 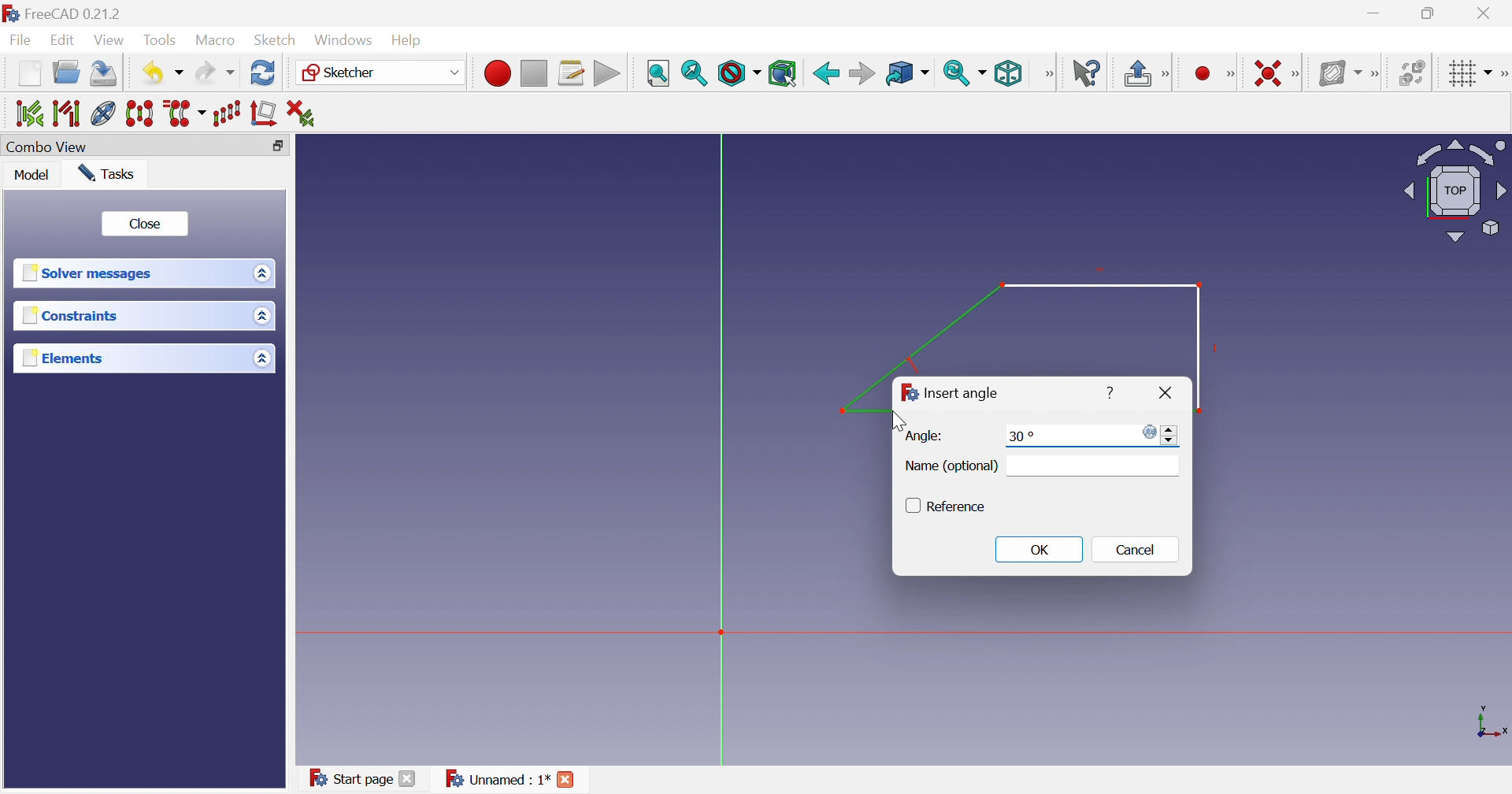 What do you see at coordinates (738, 74) in the screenshot?
I see `Draw Style` at bounding box center [738, 74].